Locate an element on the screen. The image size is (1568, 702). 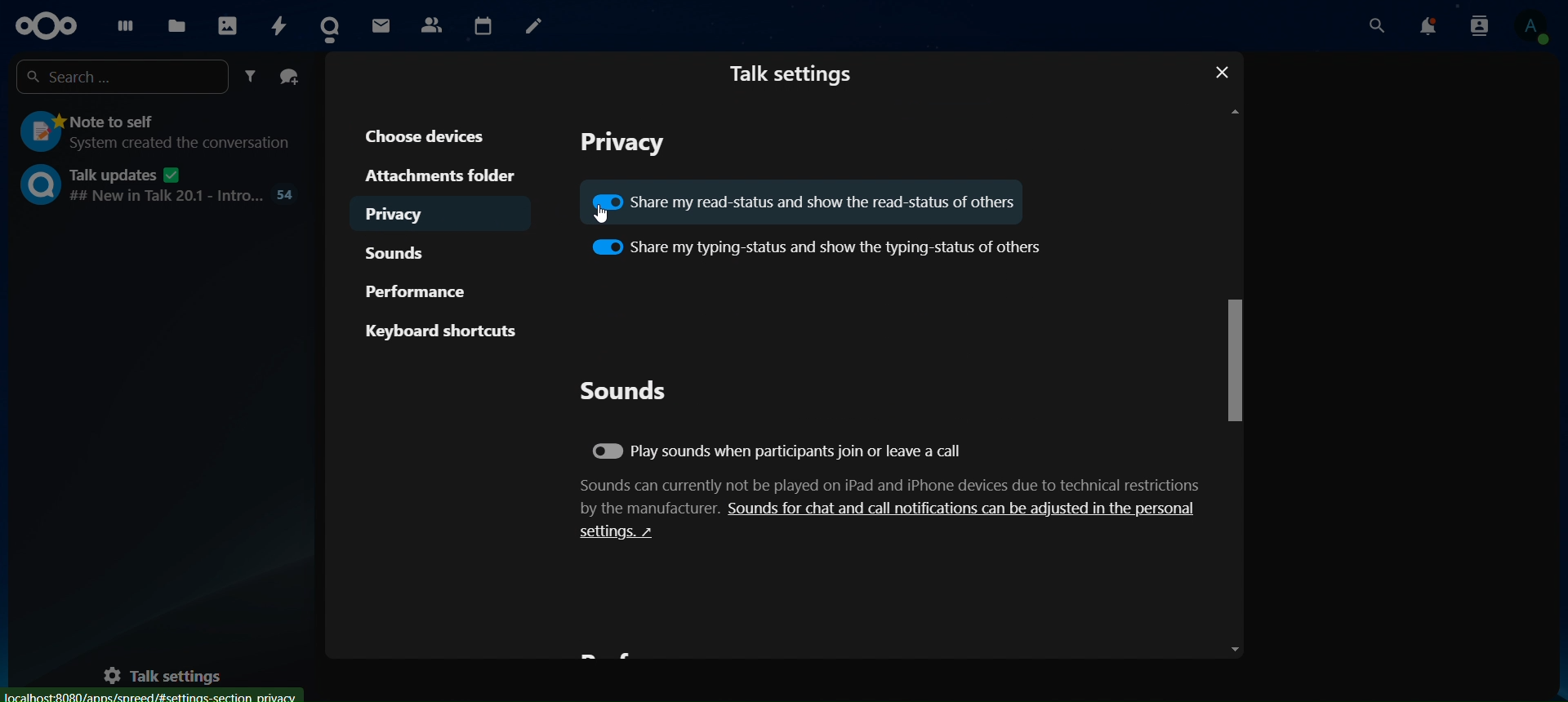
privacy is located at coordinates (412, 211).